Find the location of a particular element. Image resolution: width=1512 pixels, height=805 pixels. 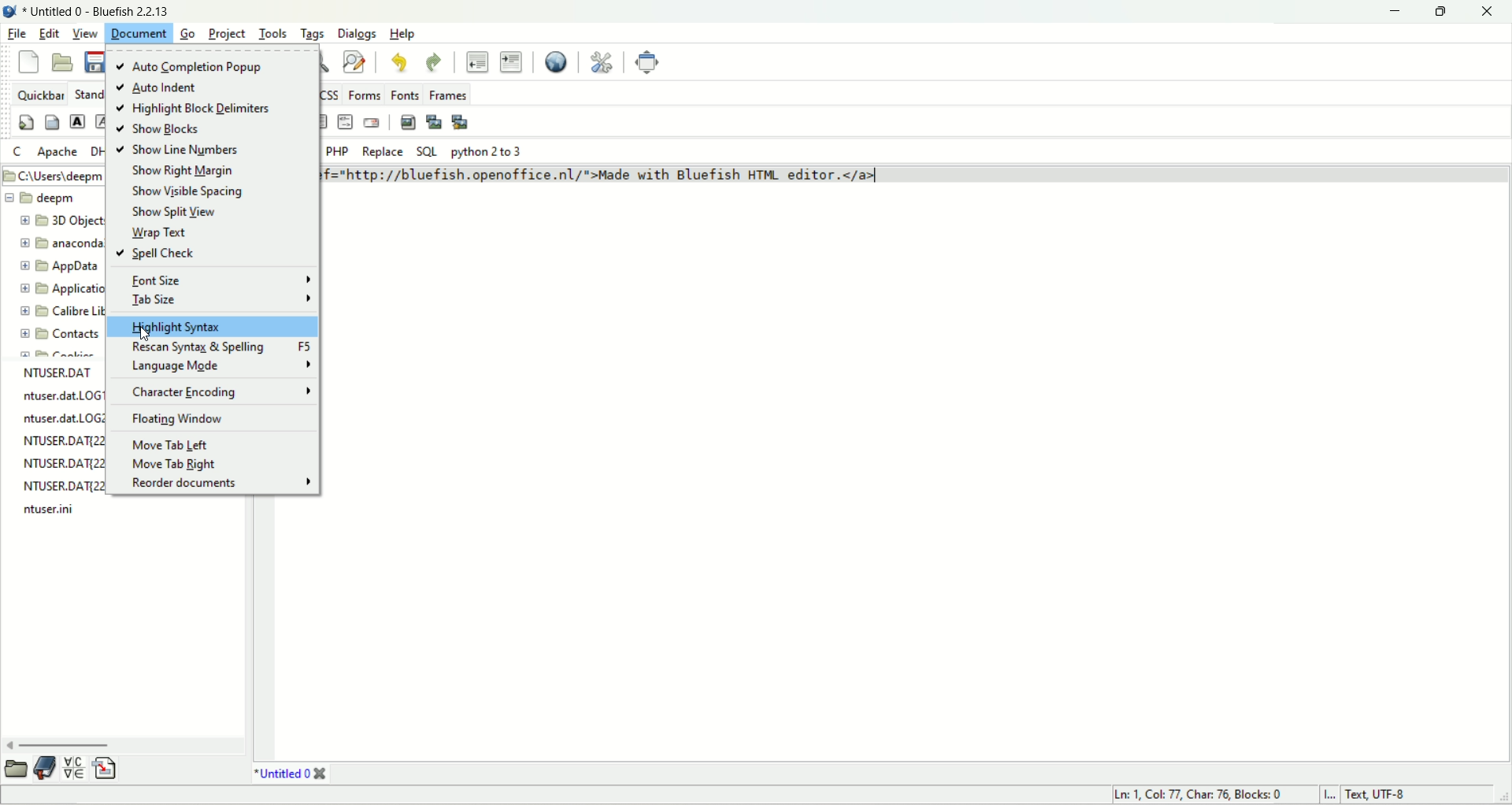

show blocks is located at coordinates (161, 129).